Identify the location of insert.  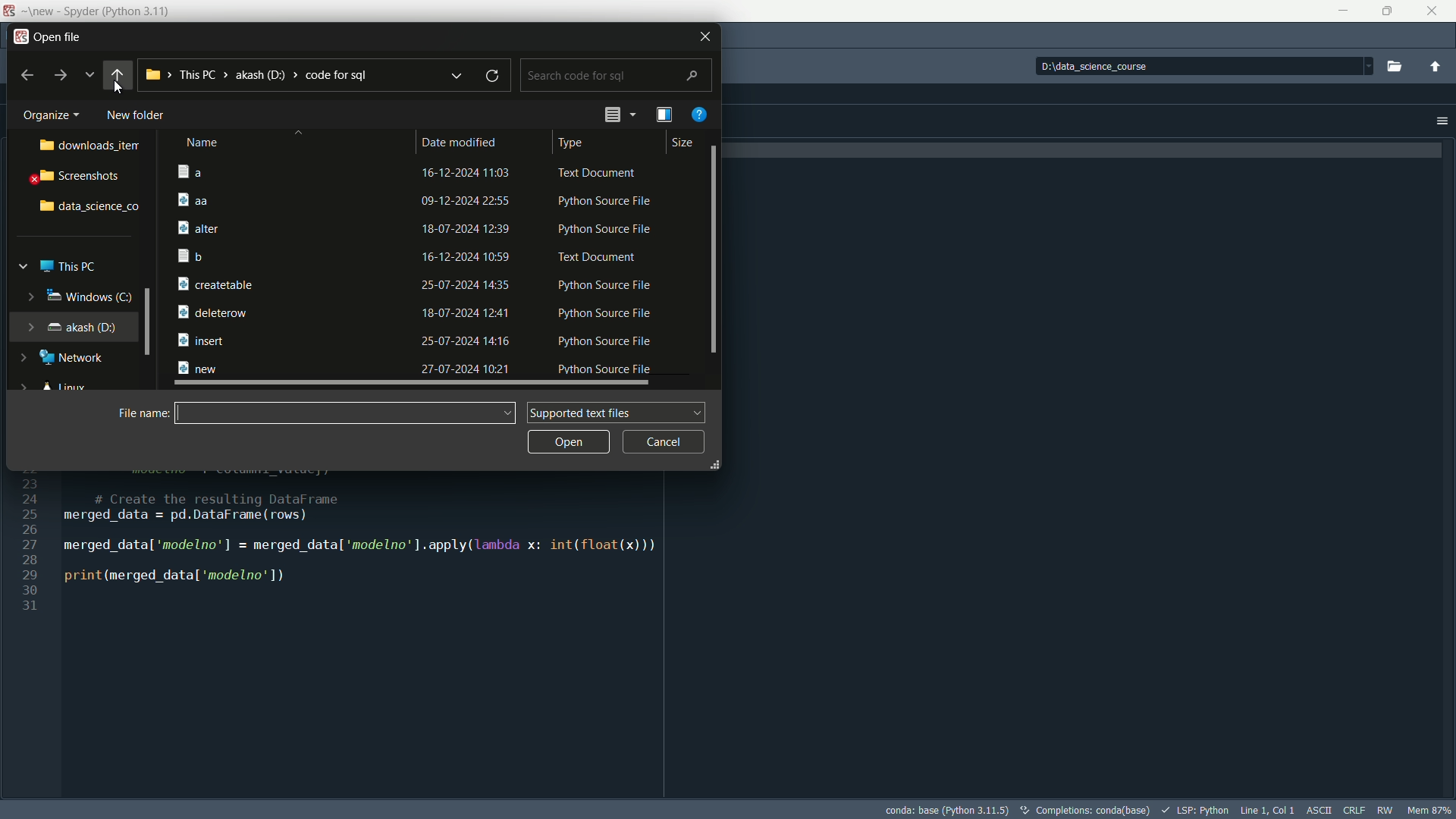
(205, 340).